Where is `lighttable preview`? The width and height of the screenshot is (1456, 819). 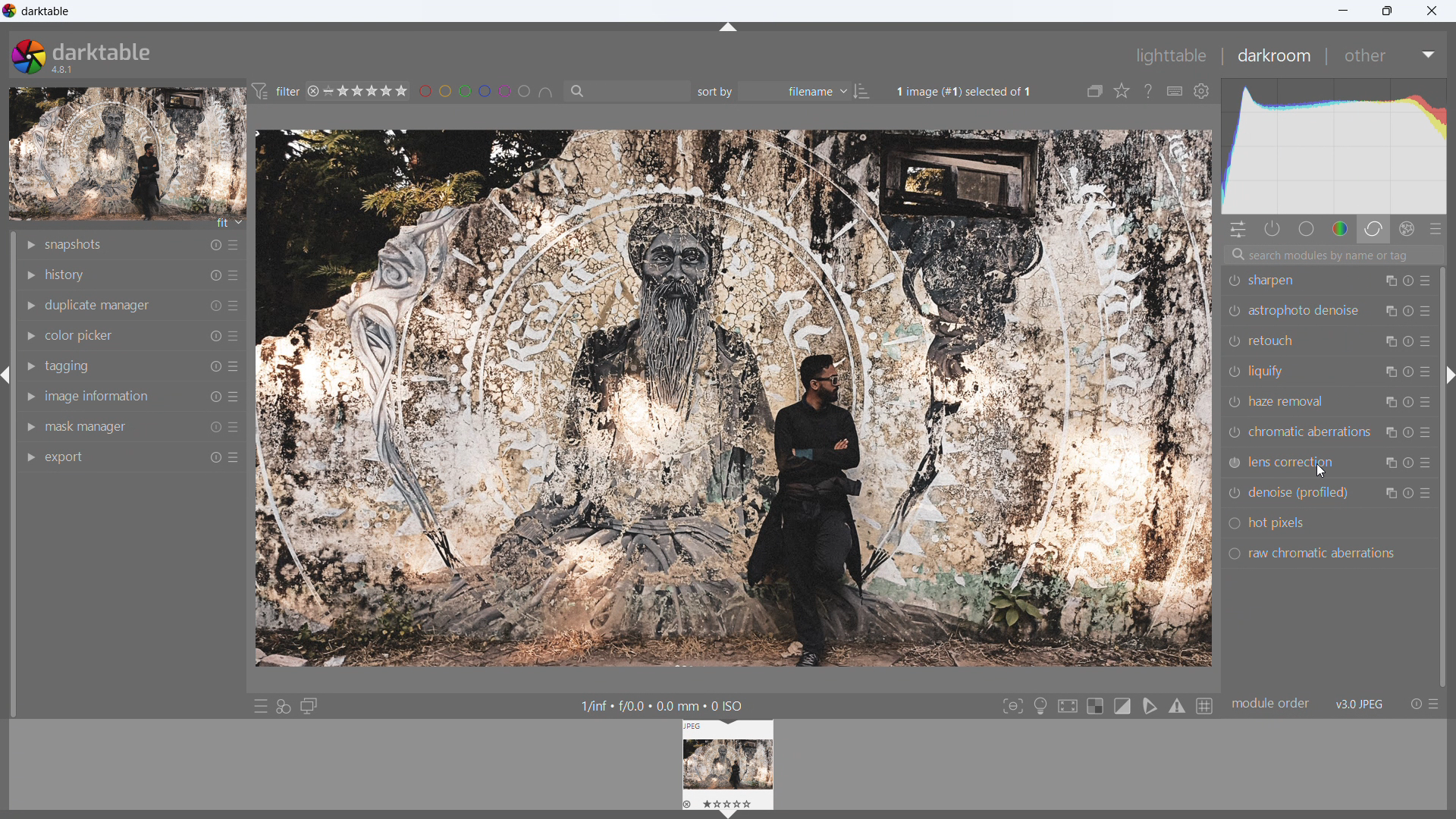
lighttable preview is located at coordinates (727, 765).